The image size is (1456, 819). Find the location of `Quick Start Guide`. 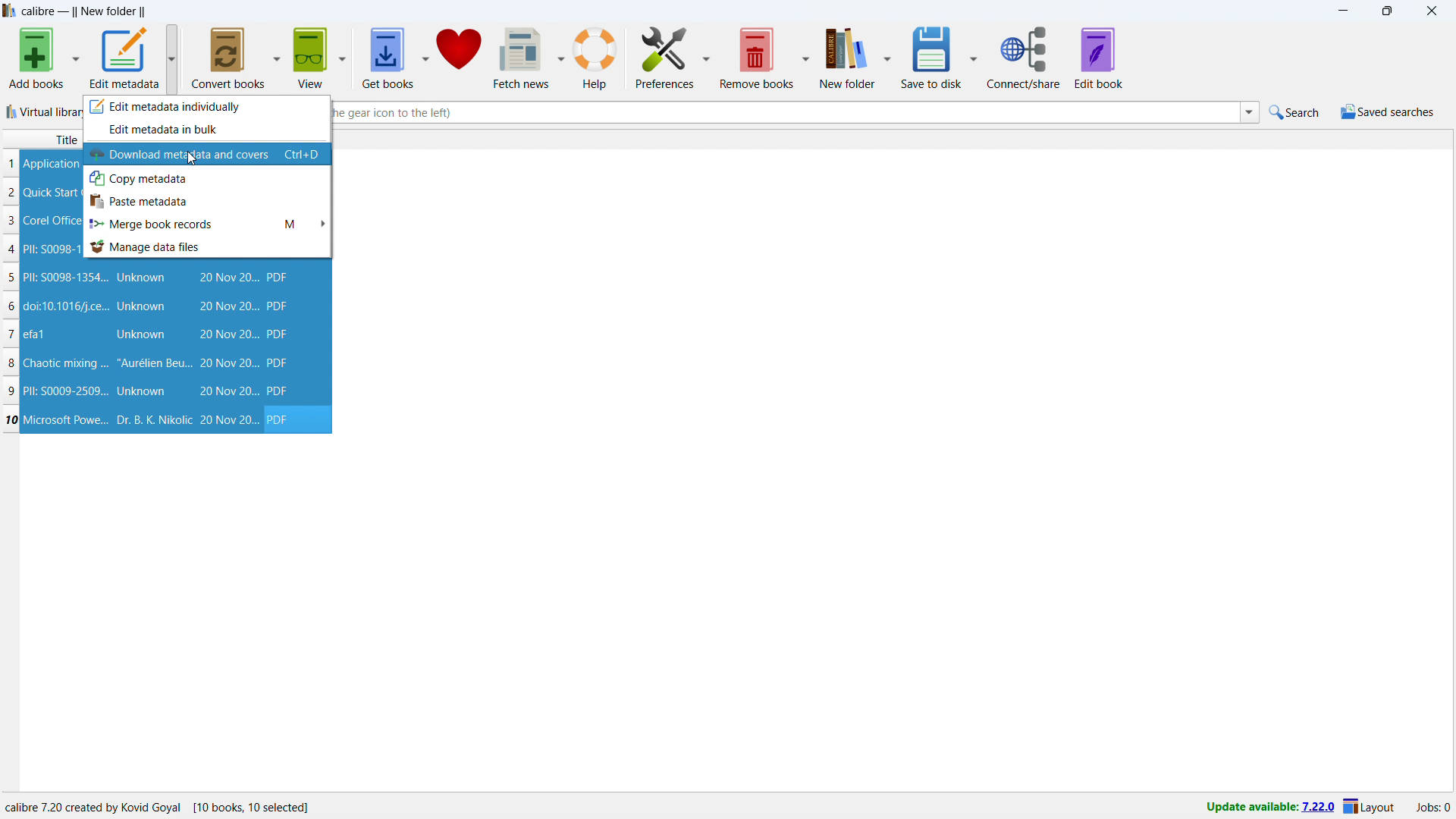

Quick Start Guide is located at coordinates (49, 193).